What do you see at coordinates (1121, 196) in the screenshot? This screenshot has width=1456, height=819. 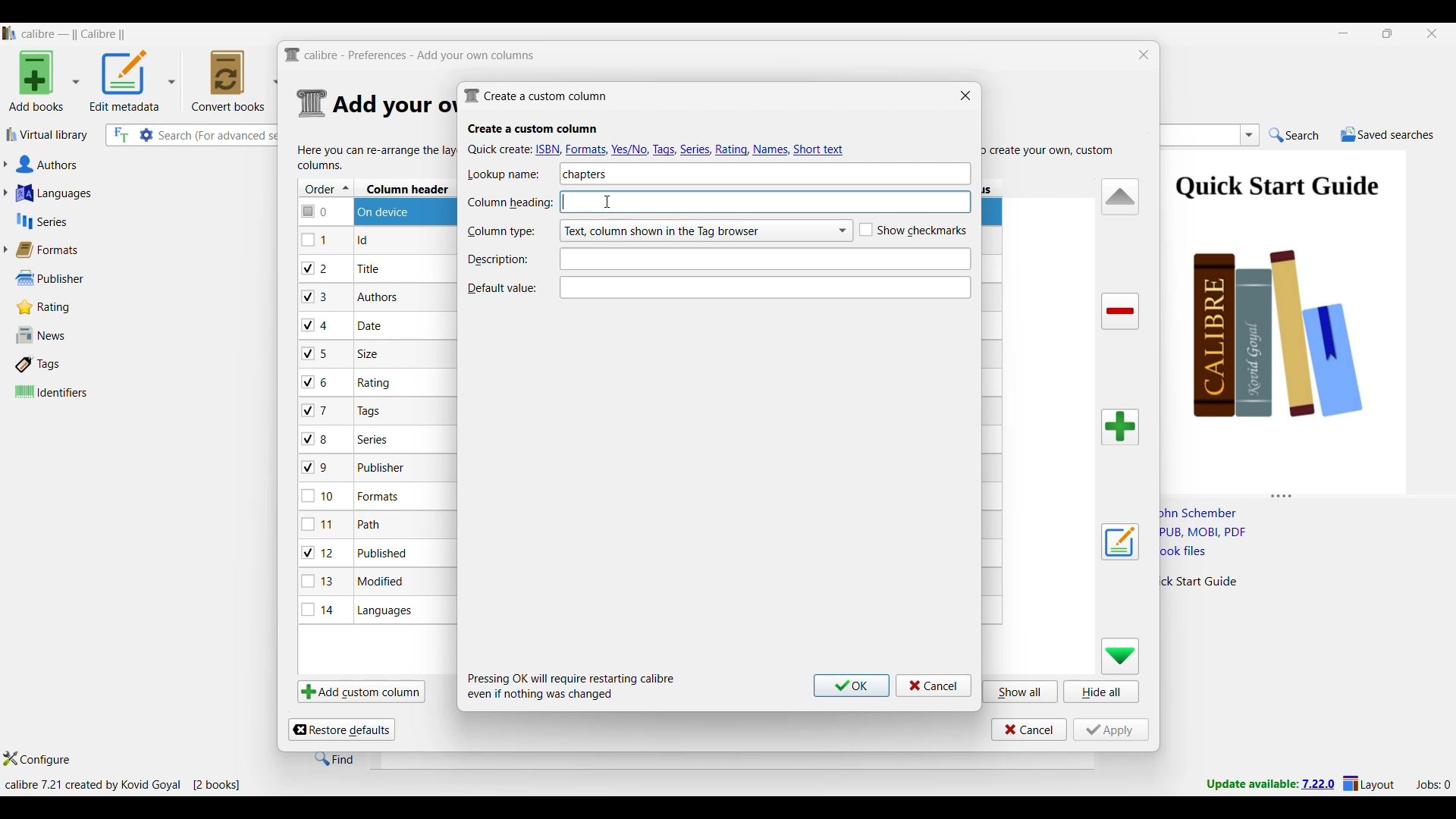 I see `Move row up` at bounding box center [1121, 196].